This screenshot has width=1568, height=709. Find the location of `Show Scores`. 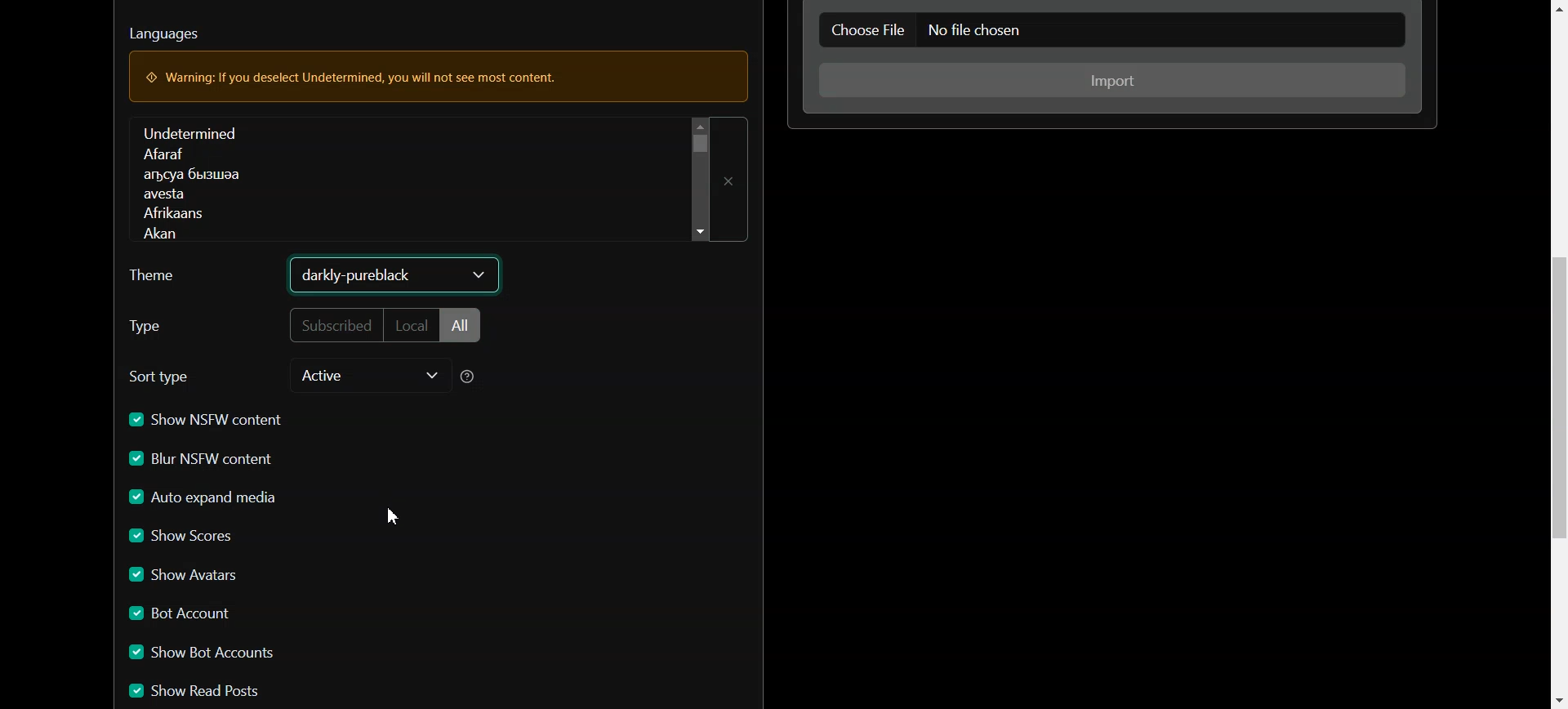

Show Scores is located at coordinates (185, 538).